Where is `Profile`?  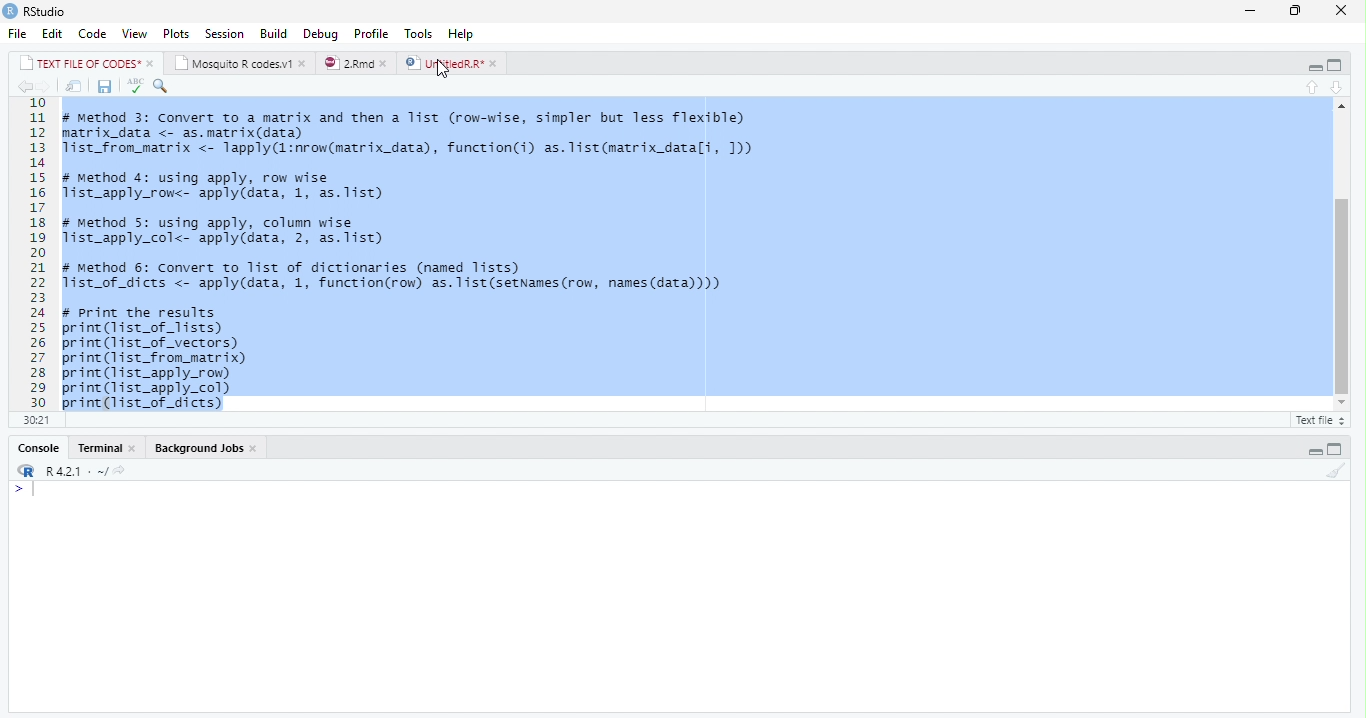 Profile is located at coordinates (372, 32).